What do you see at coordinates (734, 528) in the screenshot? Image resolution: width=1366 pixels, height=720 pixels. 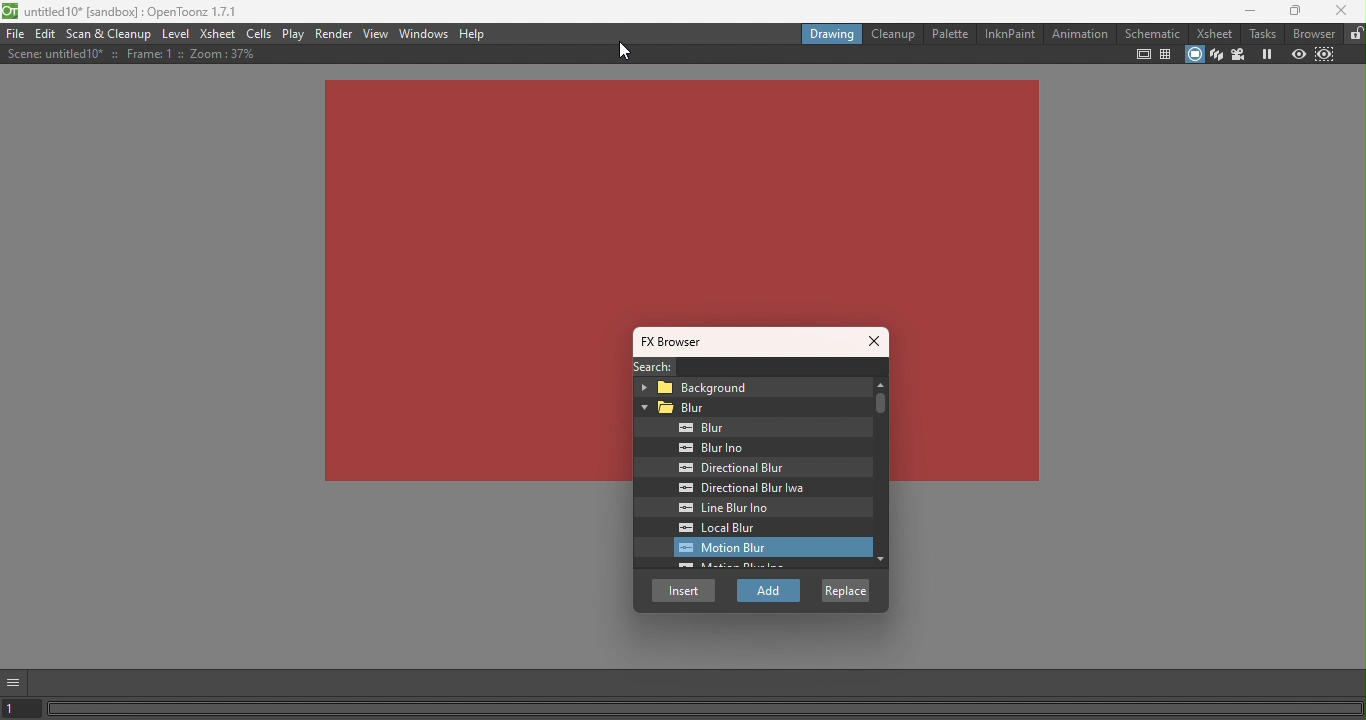 I see `Local blur` at bounding box center [734, 528].